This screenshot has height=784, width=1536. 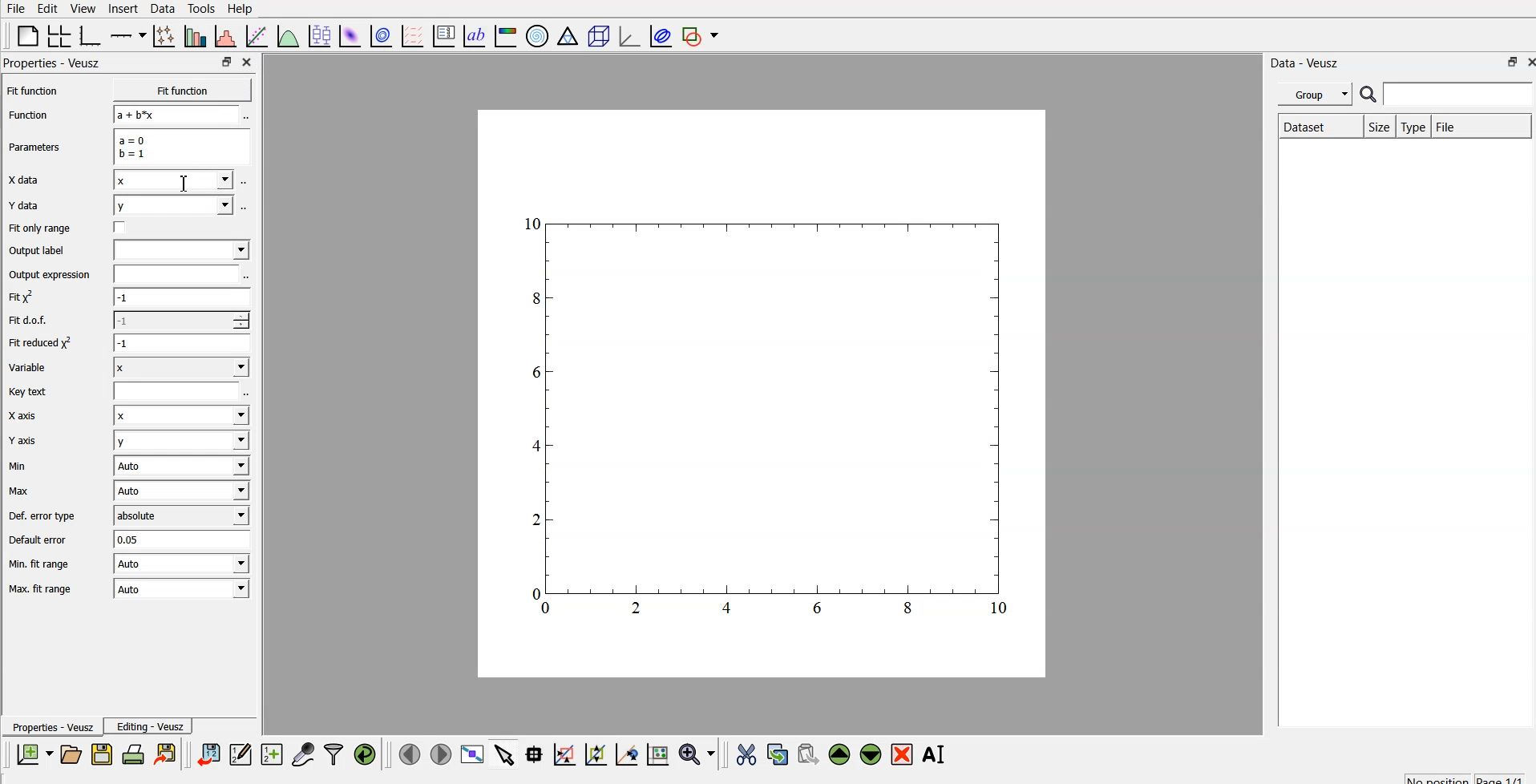 What do you see at coordinates (39, 441) in the screenshot?
I see `Y axis` at bounding box center [39, 441].